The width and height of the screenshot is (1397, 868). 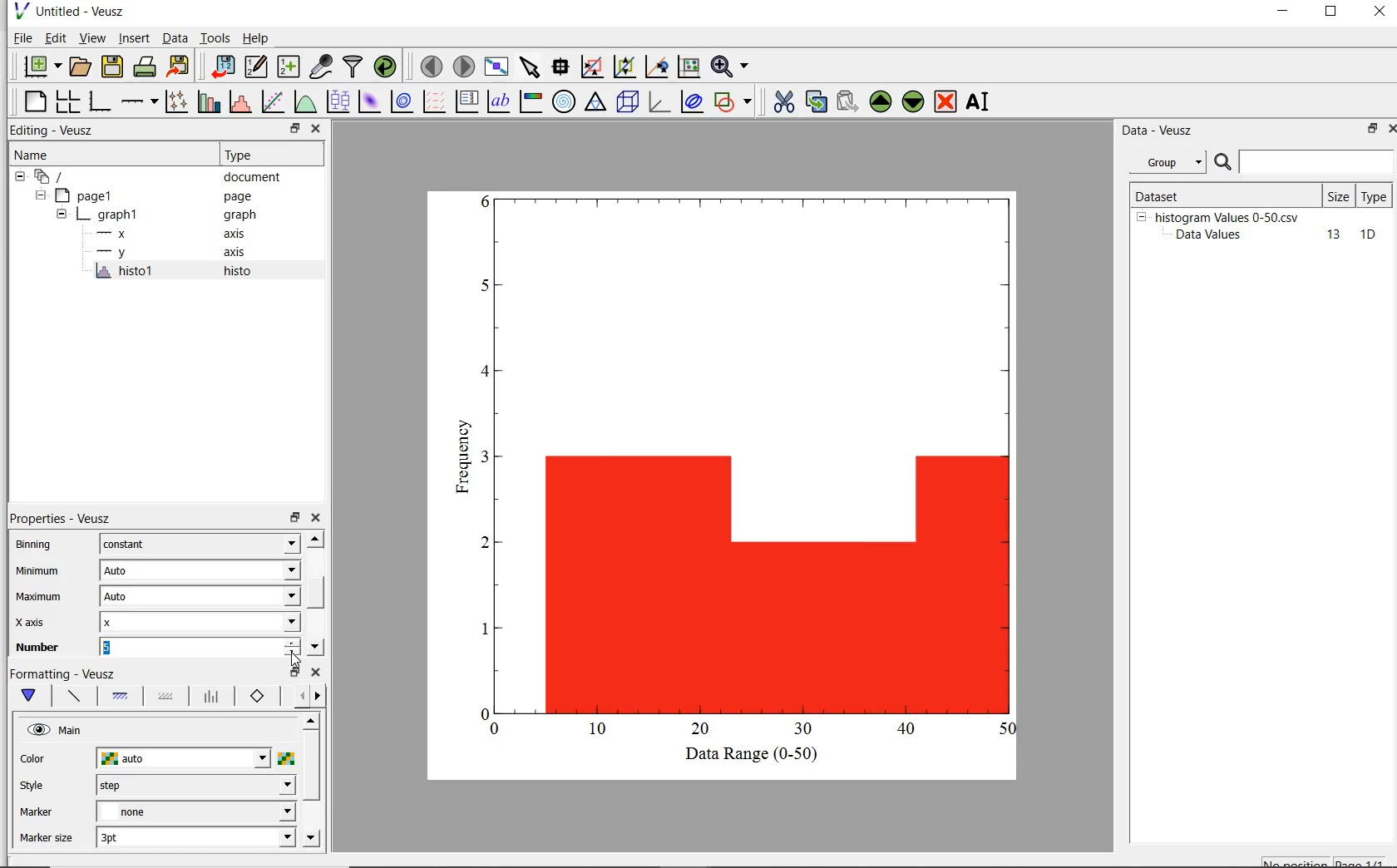 I want to click on restore down, so click(x=1331, y=13).